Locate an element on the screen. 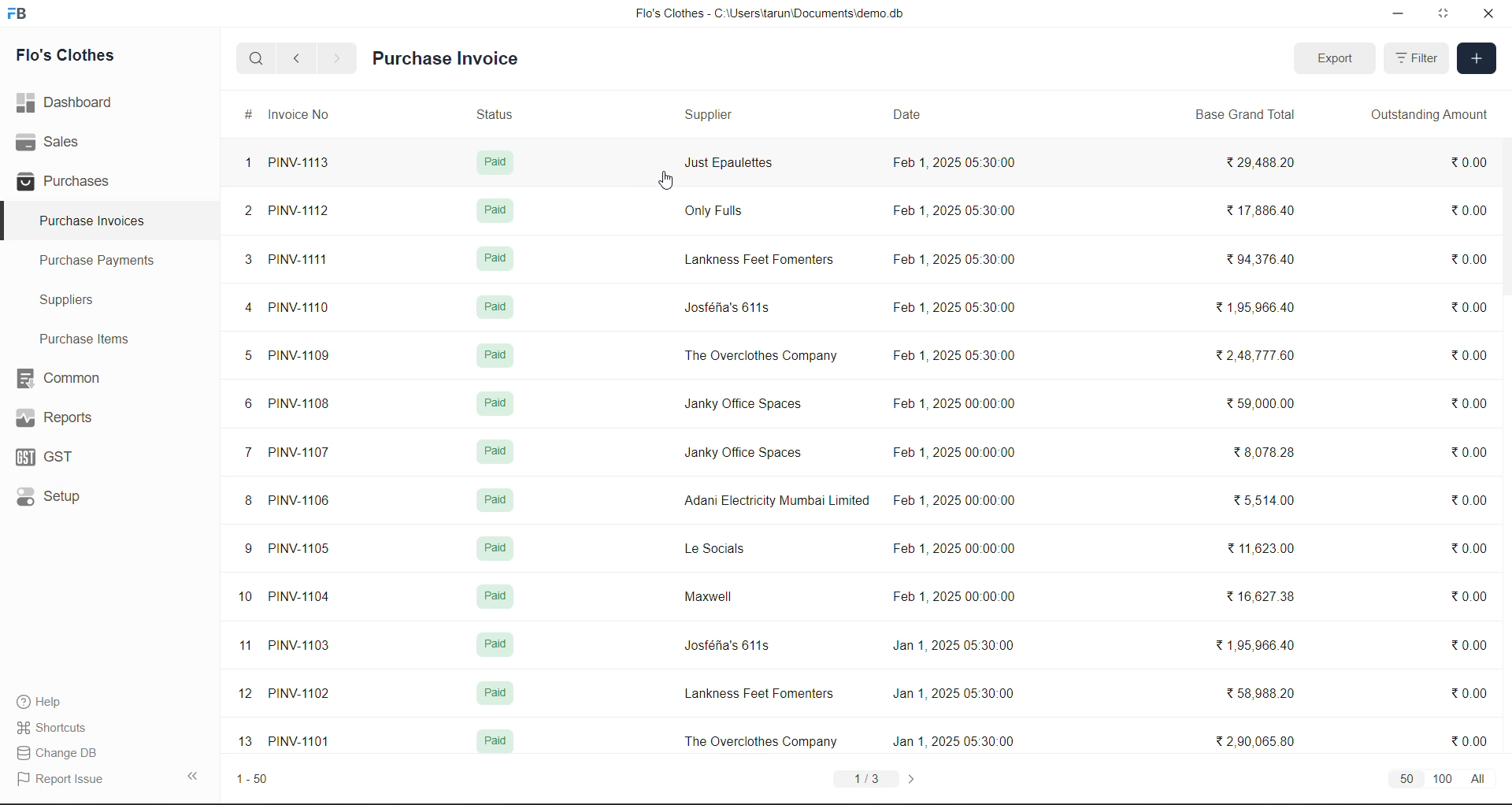  Paid is located at coordinates (494, 163).